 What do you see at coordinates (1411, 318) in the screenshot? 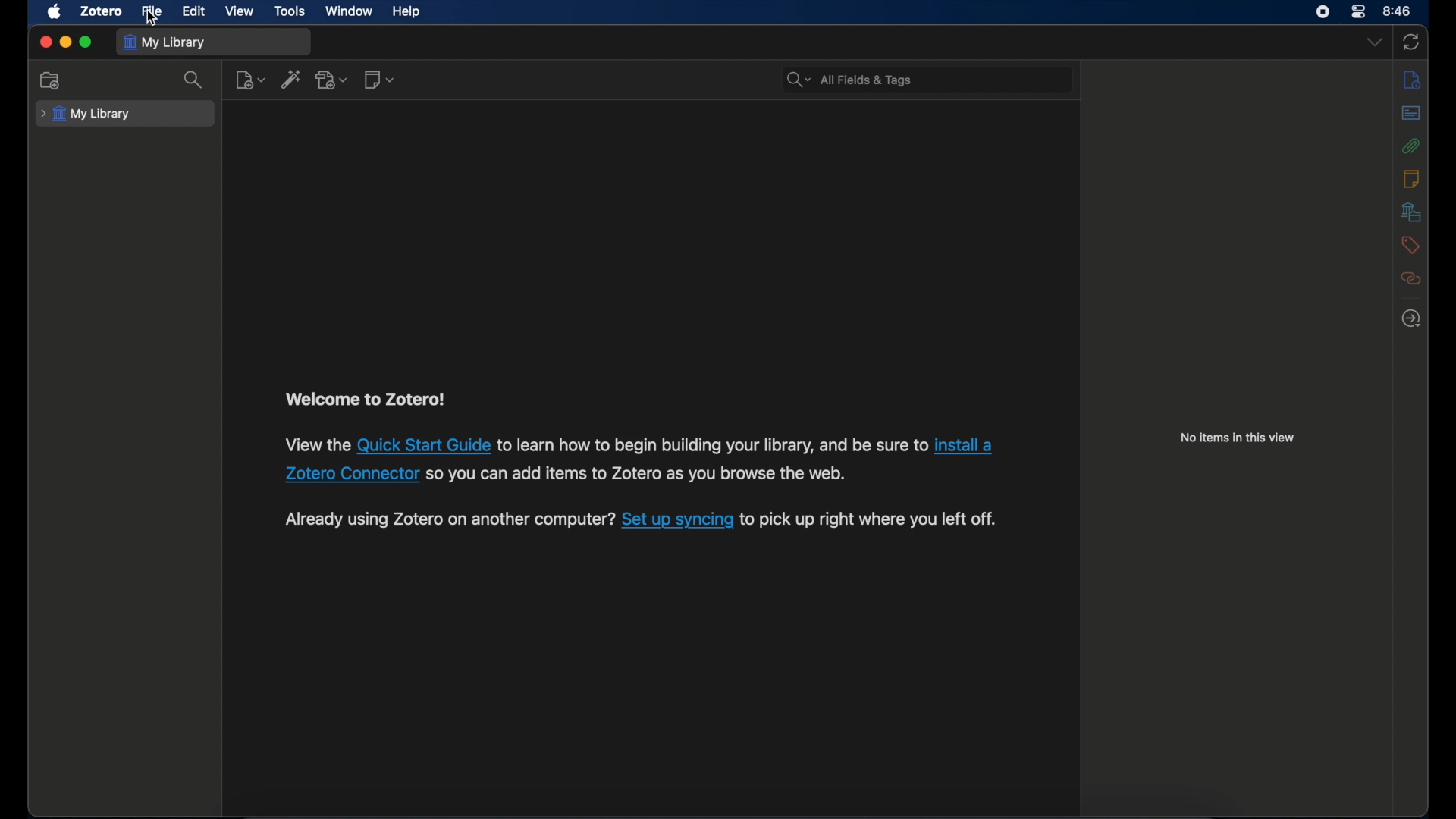
I see `locate` at bounding box center [1411, 318].